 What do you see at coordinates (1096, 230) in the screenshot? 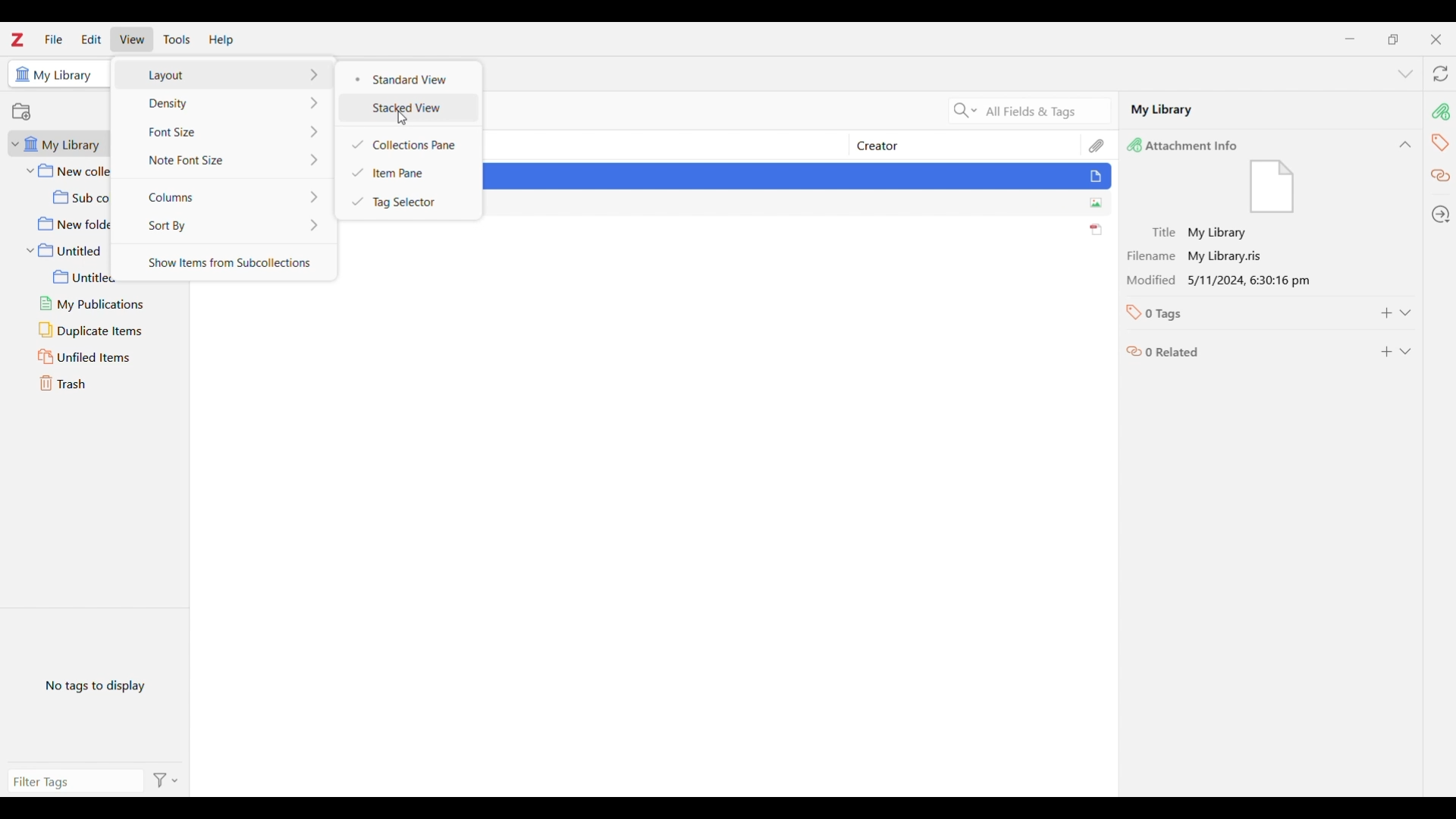
I see `pdf icon` at bounding box center [1096, 230].